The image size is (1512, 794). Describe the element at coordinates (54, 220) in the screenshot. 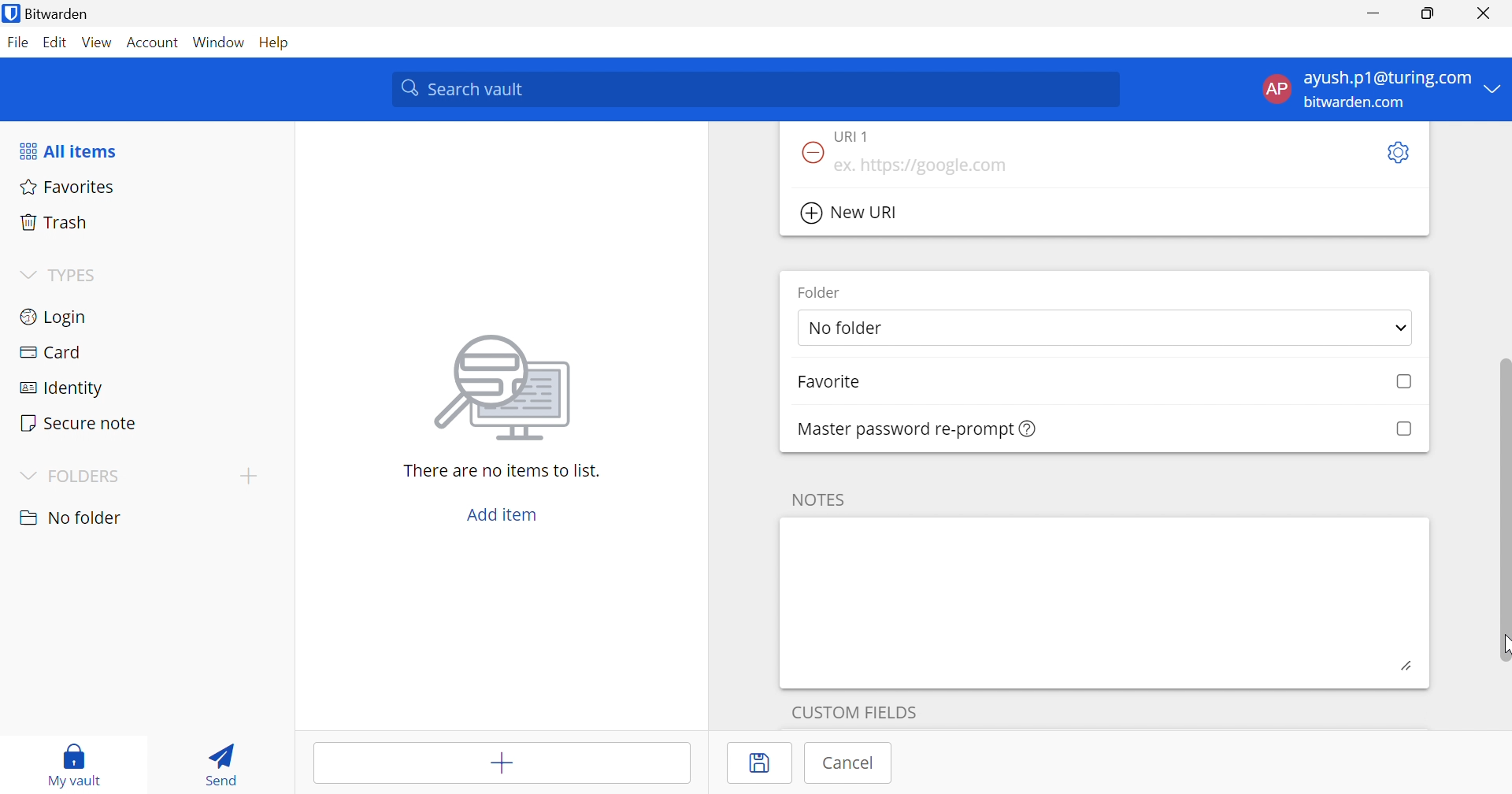

I see `Trash` at that location.